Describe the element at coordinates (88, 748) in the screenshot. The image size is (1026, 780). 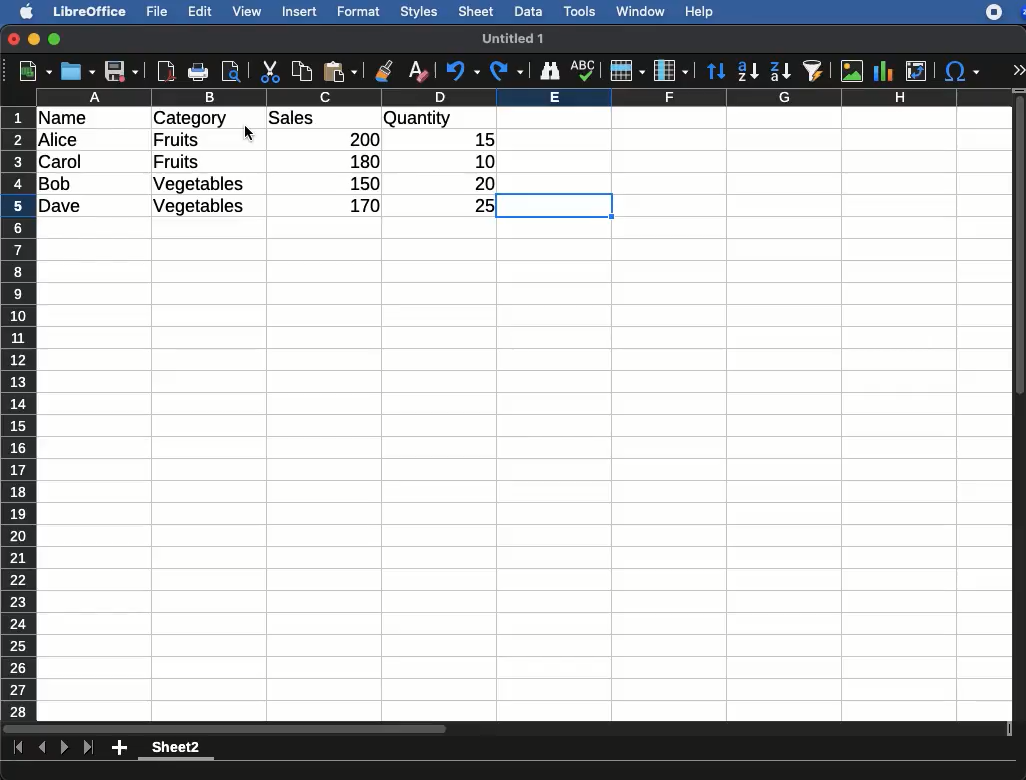
I see `last sheet` at that location.